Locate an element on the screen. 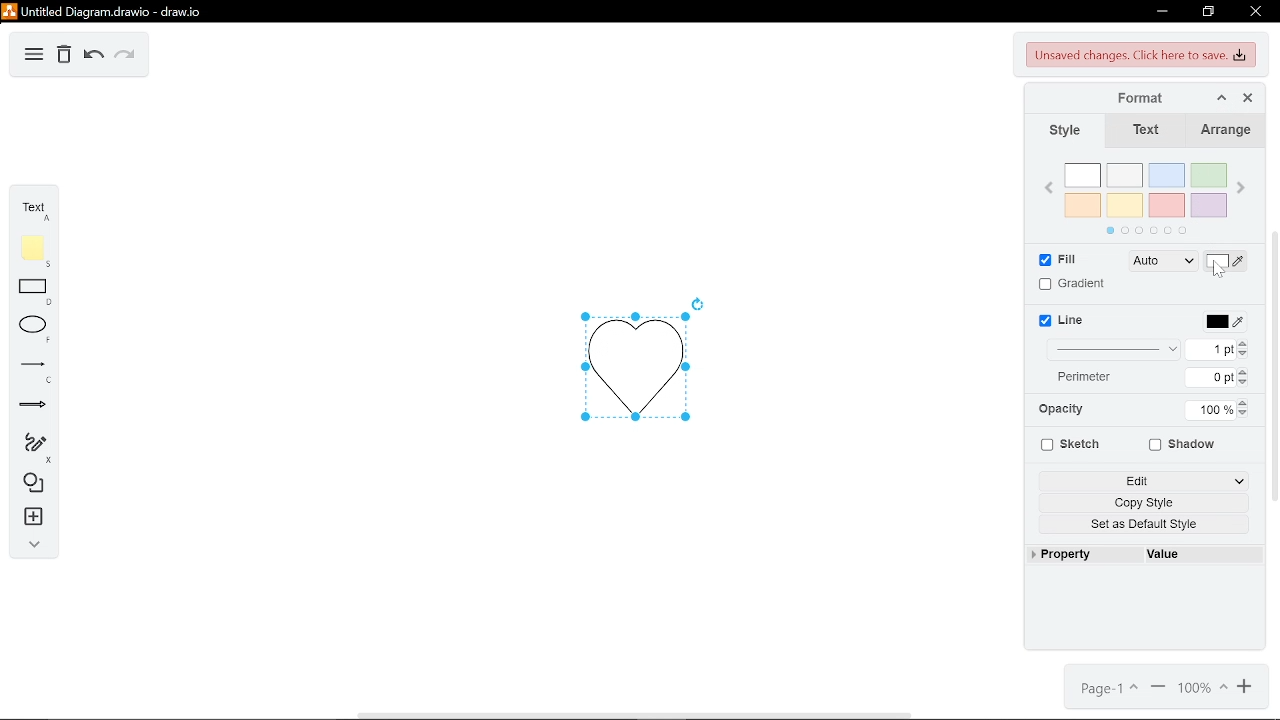  diagram is located at coordinates (35, 56).